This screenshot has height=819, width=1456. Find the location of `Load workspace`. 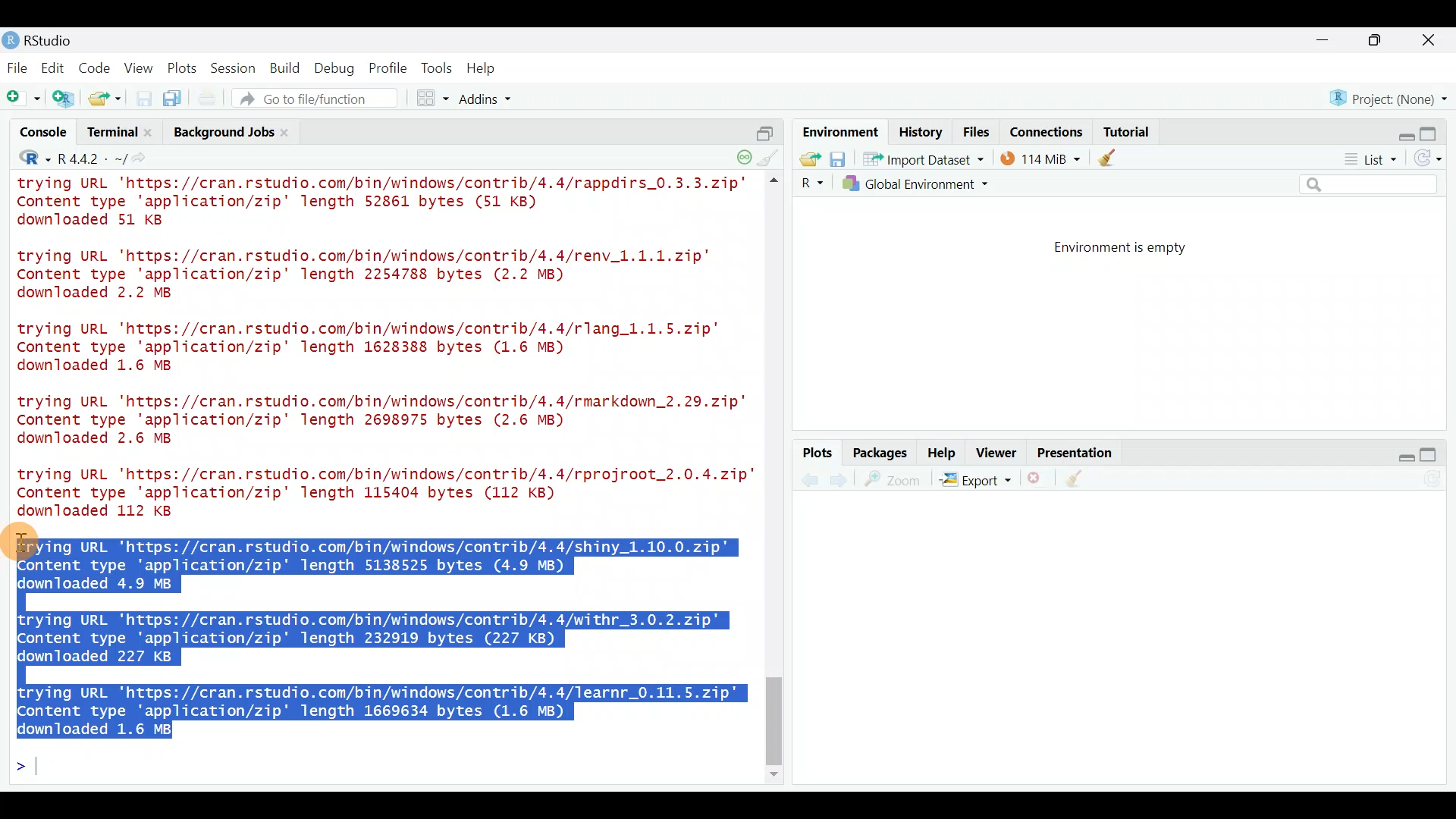

Load workspace is located at coordinates (806, 158).